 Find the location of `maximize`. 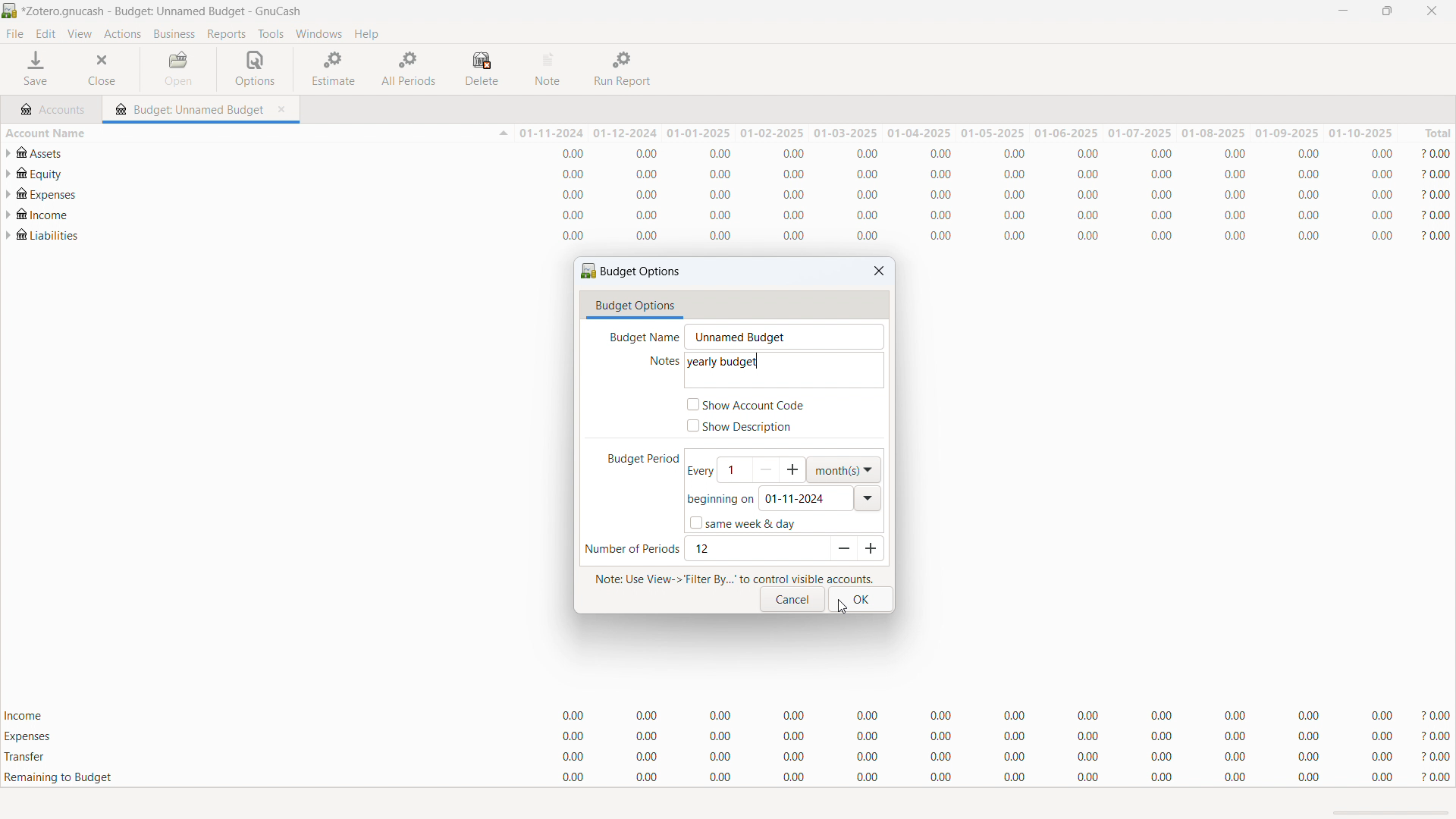

maximize is located at coordinates (1386, 11).